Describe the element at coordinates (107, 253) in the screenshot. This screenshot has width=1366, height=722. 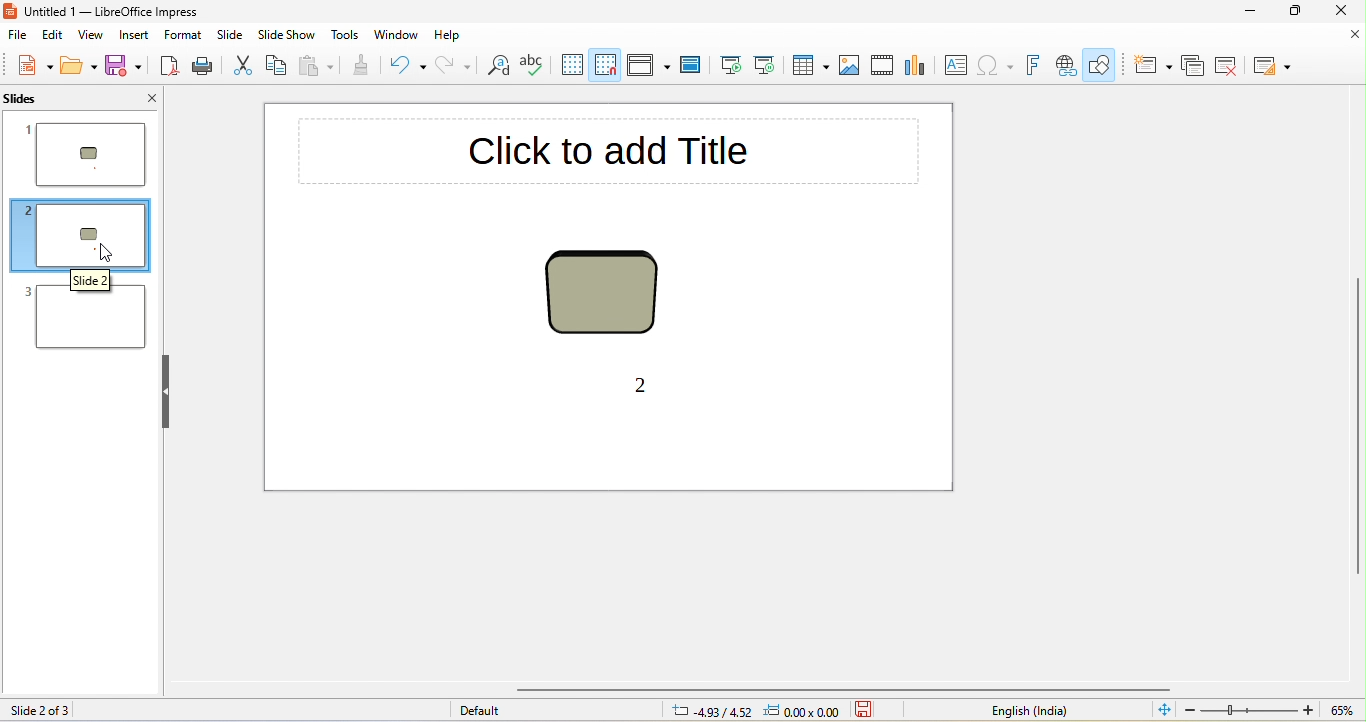
I see `cursor` at that location.